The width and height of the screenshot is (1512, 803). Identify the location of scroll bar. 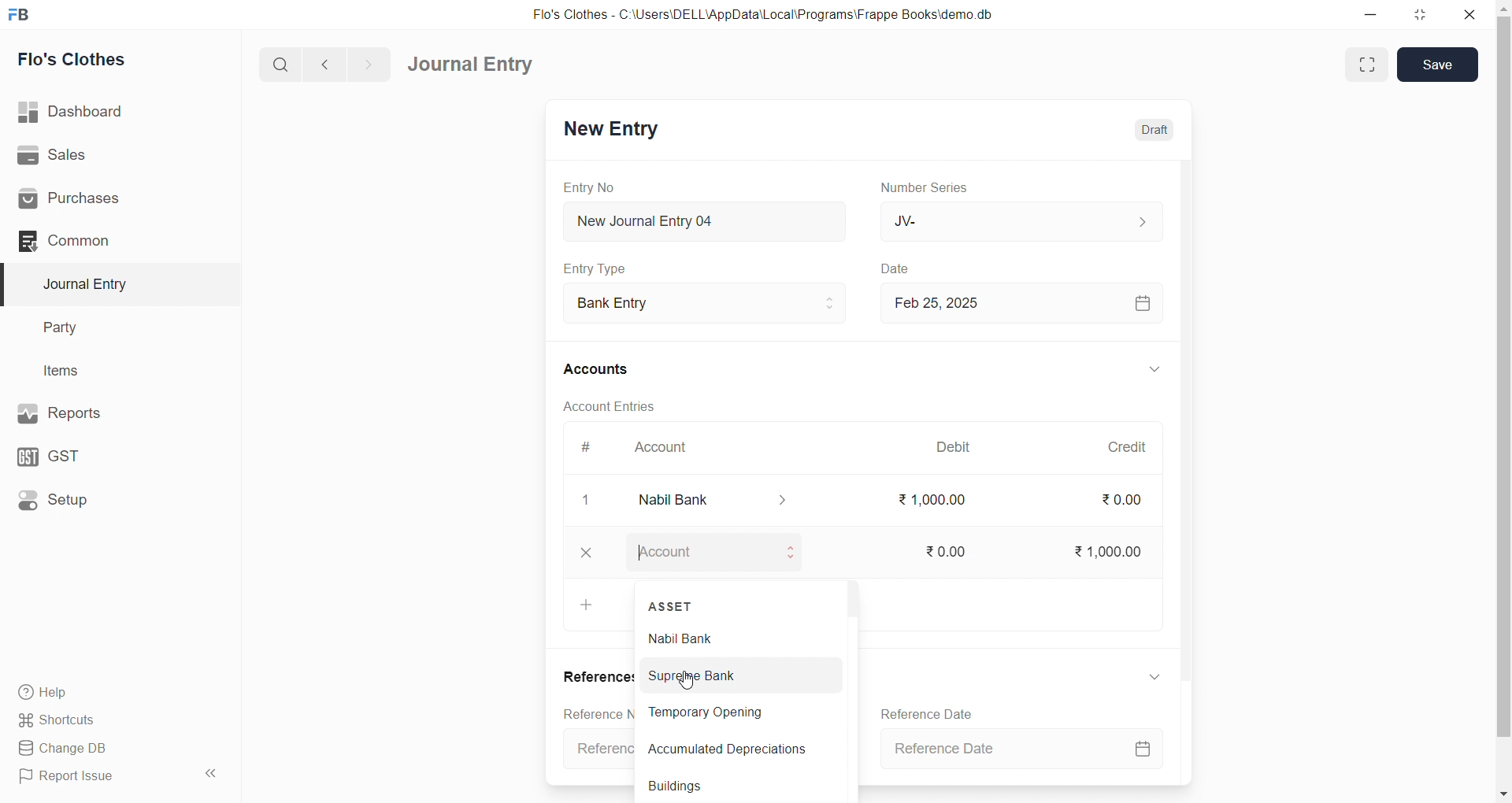
(1503, 402).